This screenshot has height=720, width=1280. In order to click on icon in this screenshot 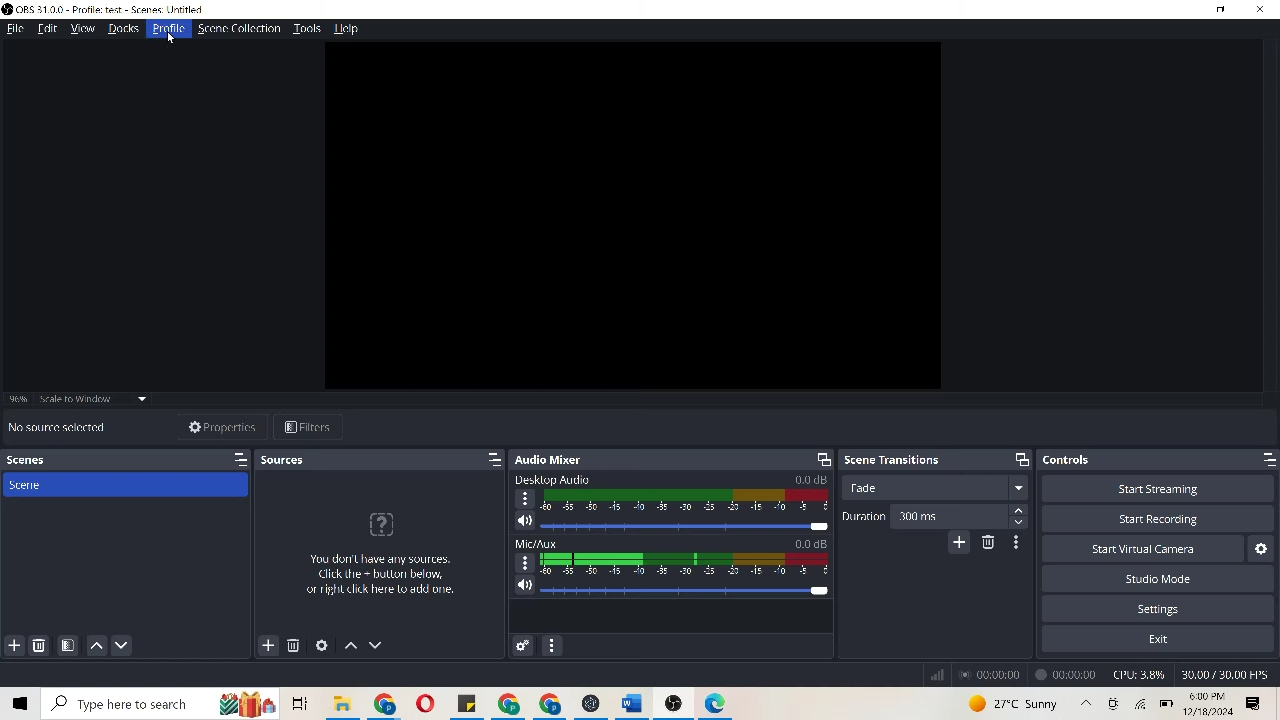, I will do `click(678, 703)`.